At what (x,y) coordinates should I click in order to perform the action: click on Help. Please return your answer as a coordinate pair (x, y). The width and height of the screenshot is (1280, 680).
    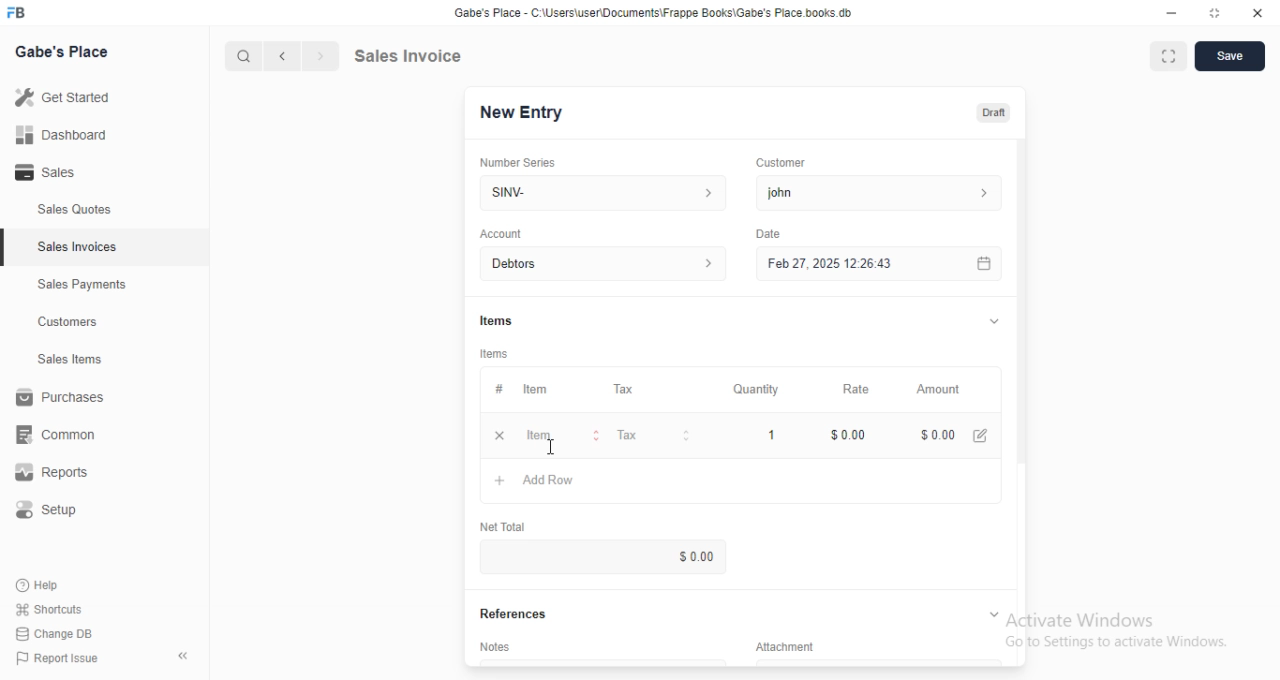
    Looking at the image, I should click on (44, 585).